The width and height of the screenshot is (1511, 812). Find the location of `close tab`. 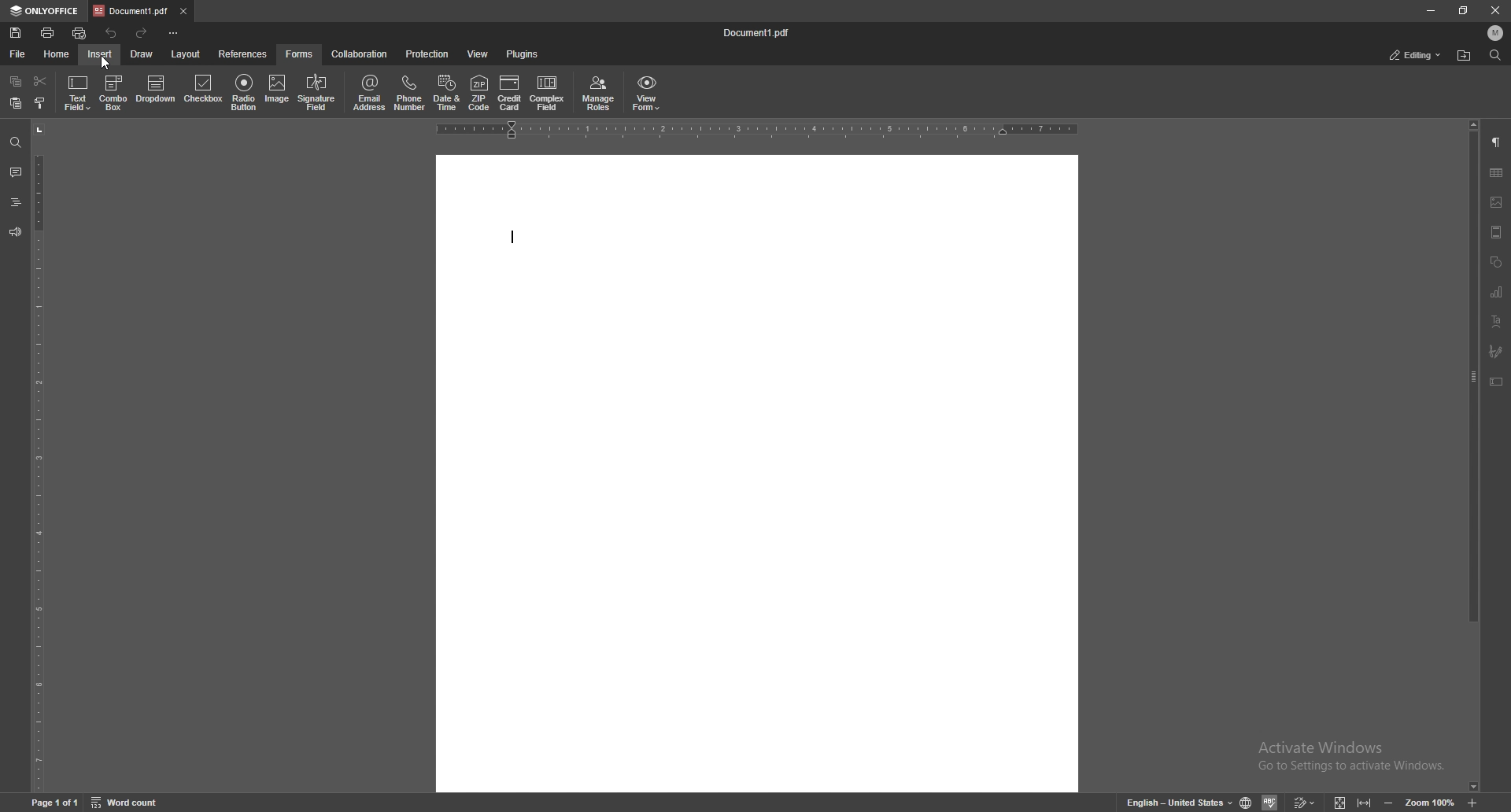

close tab is located at coordinates (183, 10).